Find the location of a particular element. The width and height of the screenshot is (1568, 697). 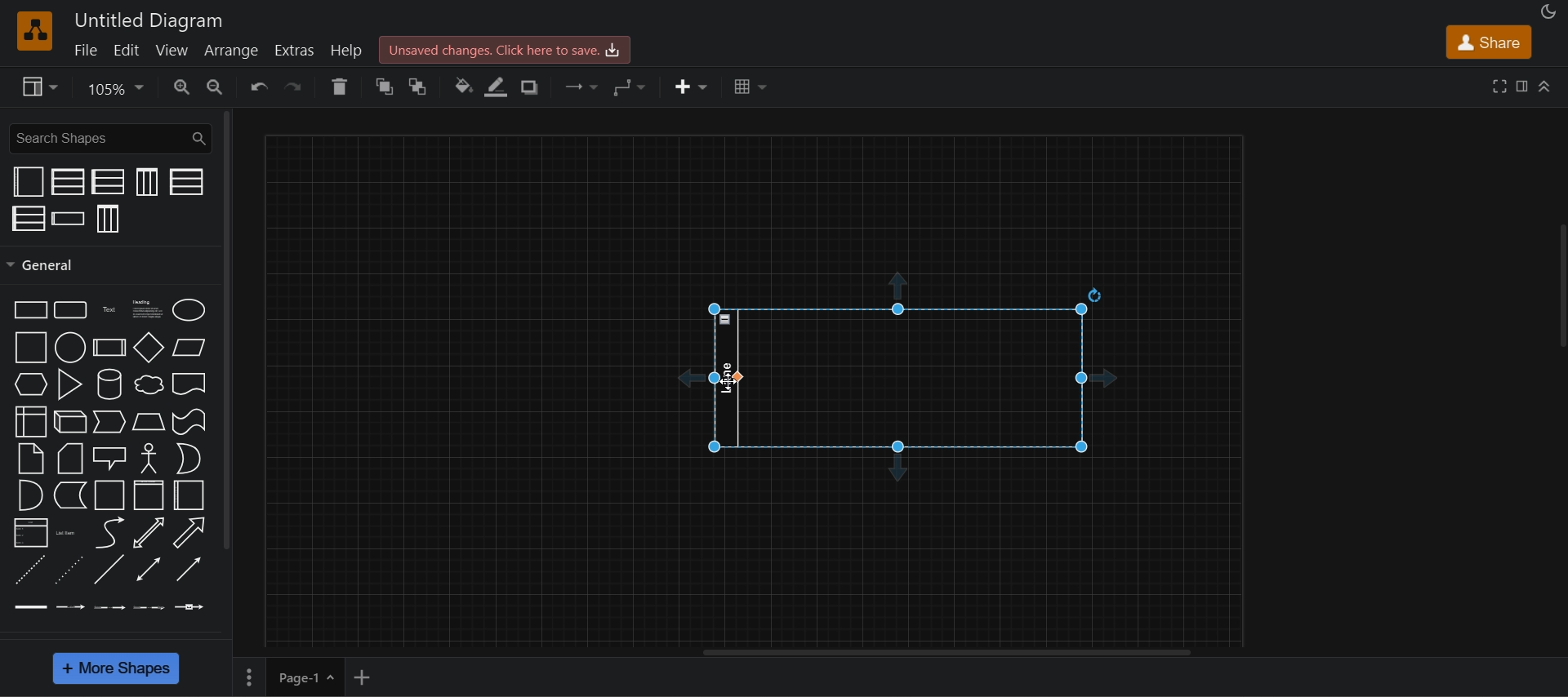

or is located at coordinates (188, 458).